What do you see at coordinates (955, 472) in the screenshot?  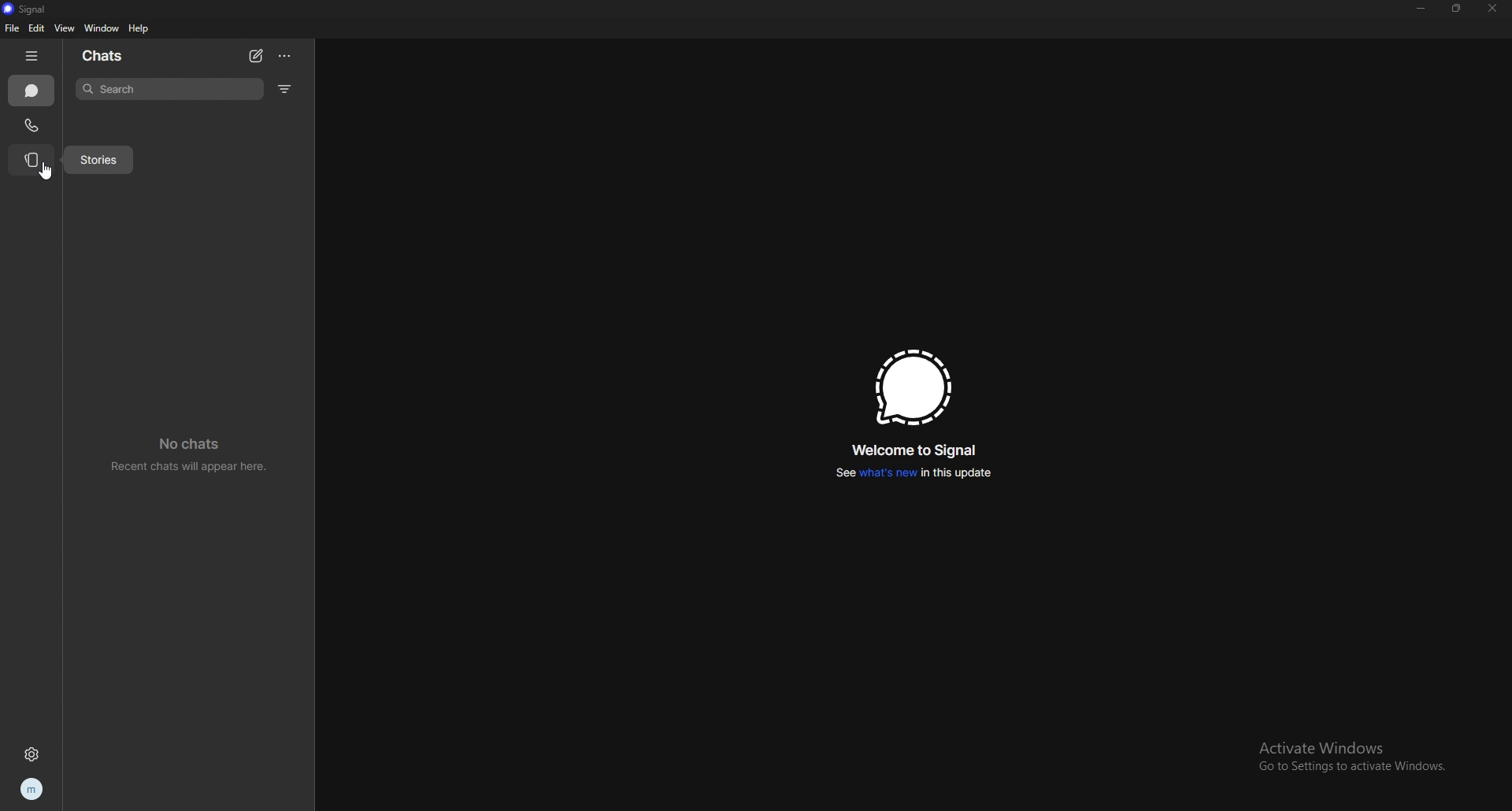 I see `in this update` at bounding box center [955, 472].